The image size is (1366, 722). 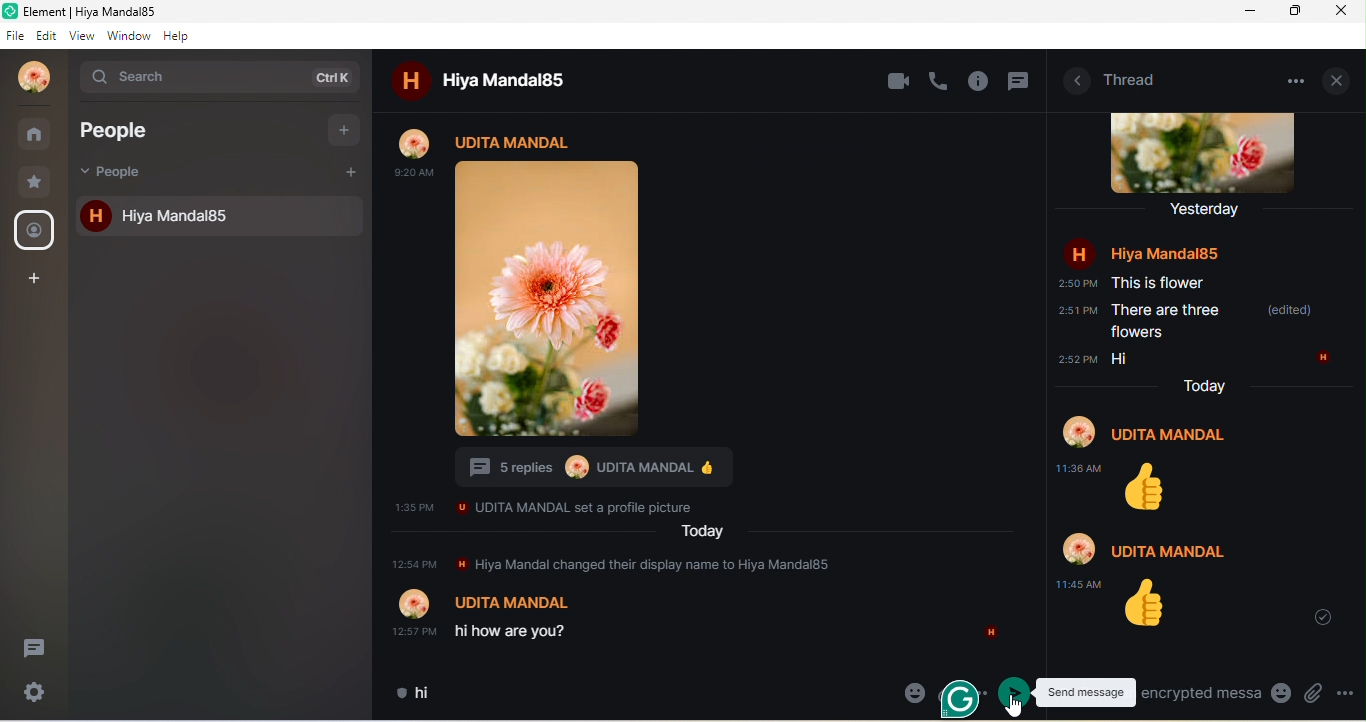 What do you see at coordinates (35, 648) in the screenshot?
I see `thread` at bounding box center [35, 648].